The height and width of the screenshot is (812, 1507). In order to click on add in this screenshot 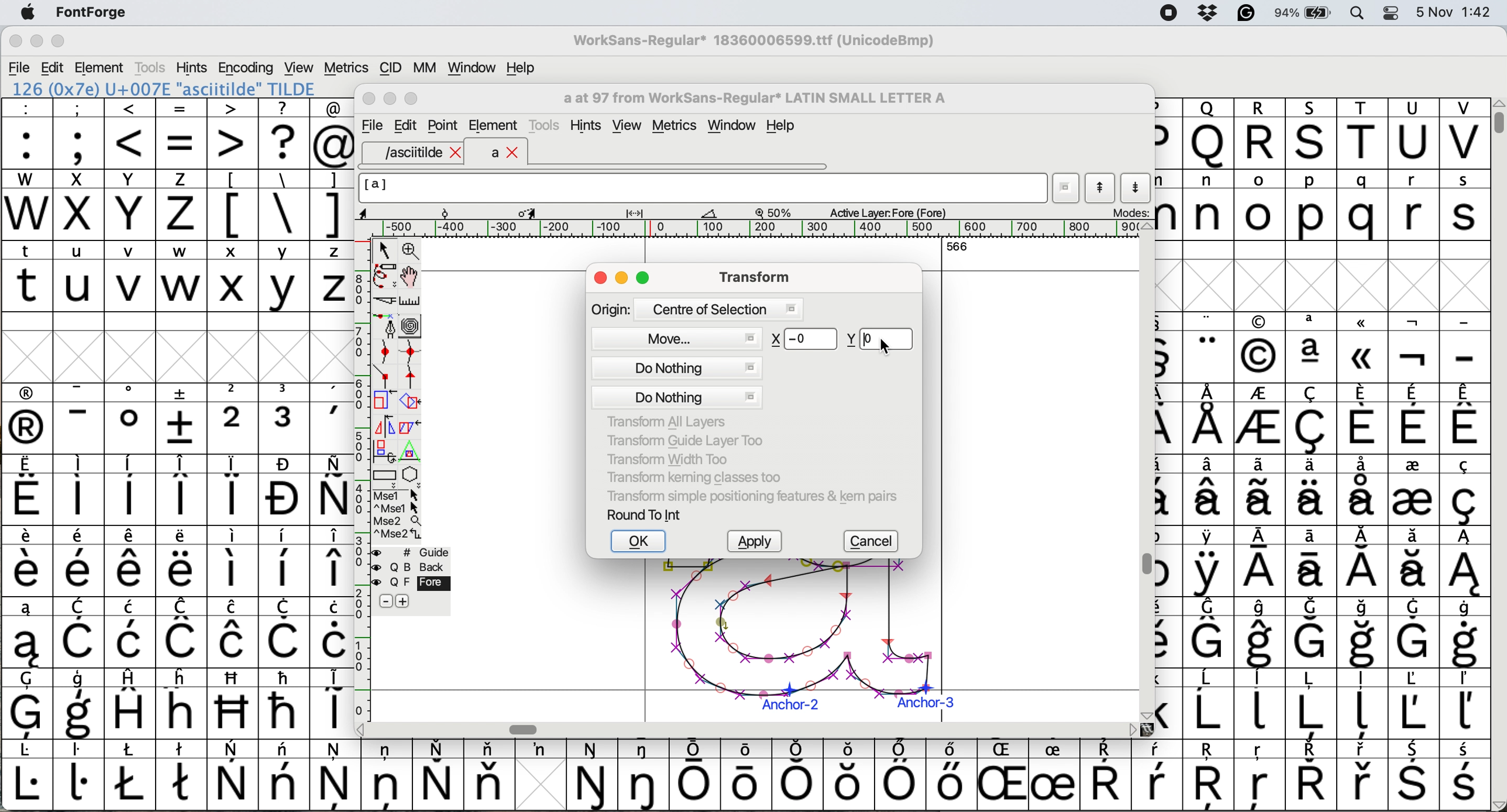, I will do `click(404, 601)`.